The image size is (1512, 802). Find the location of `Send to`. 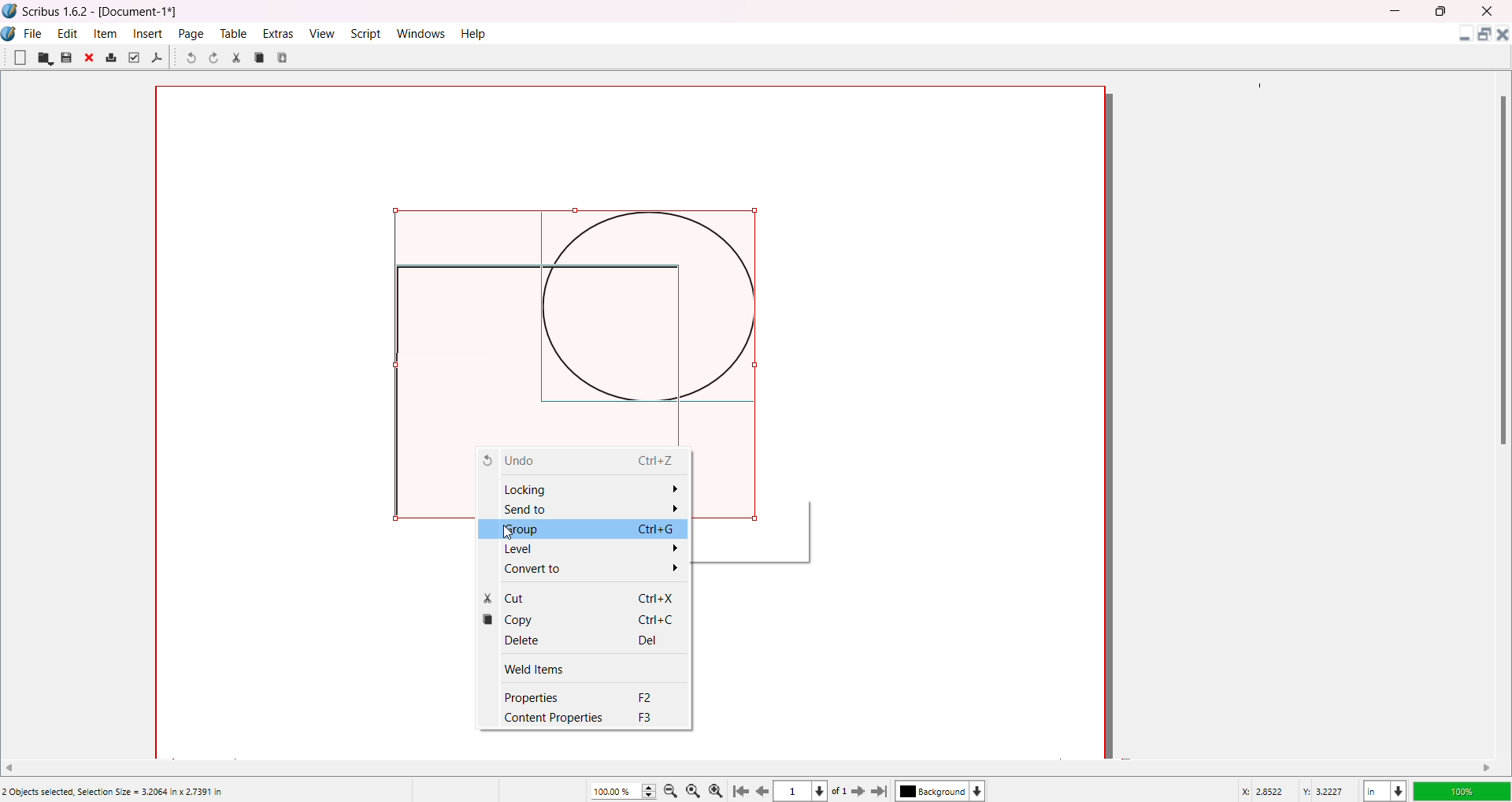

Send to is located at coordinates (592, 510).